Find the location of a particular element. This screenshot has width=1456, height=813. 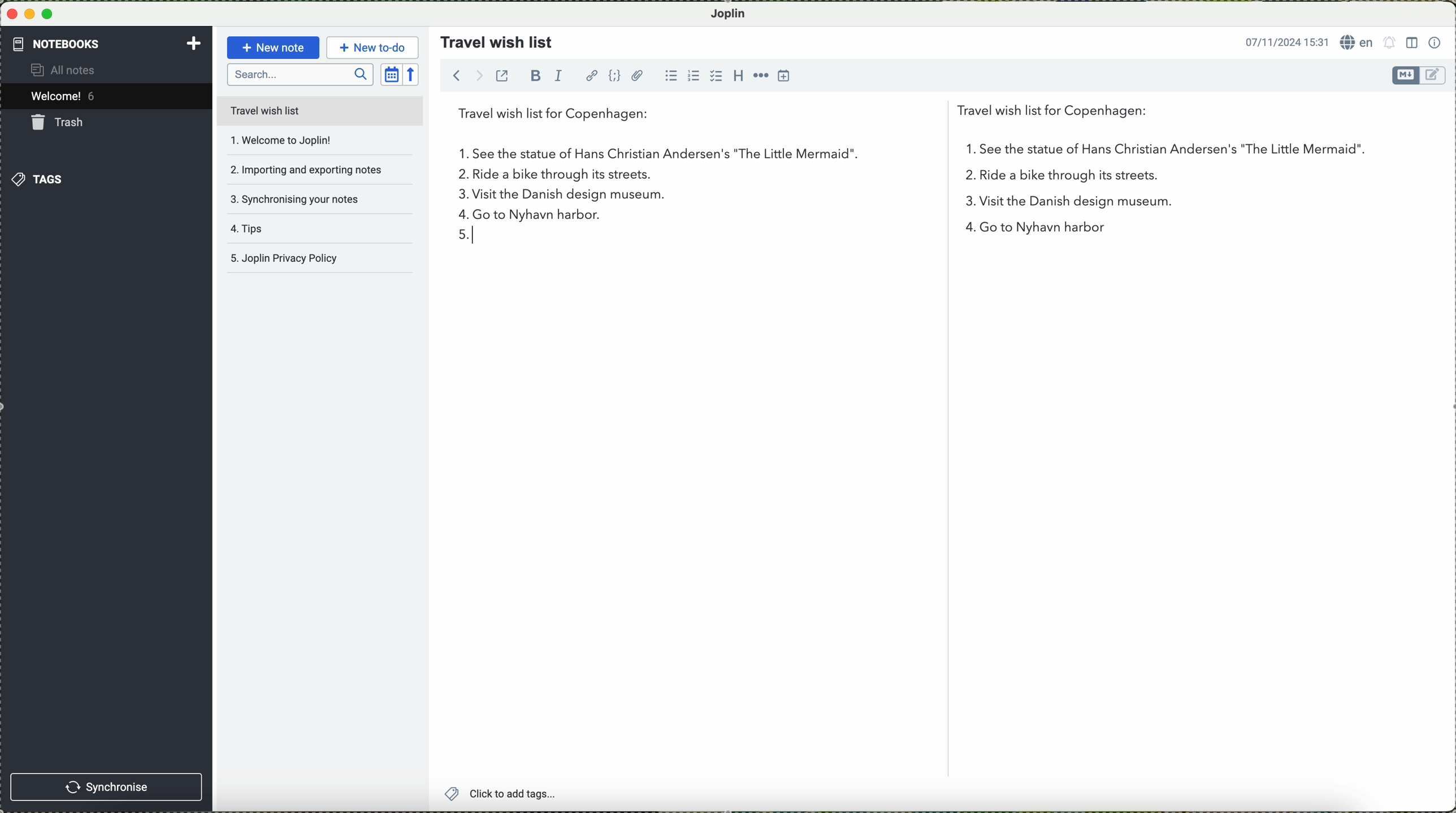

horizontal rule is located at coordinates (760, 75).